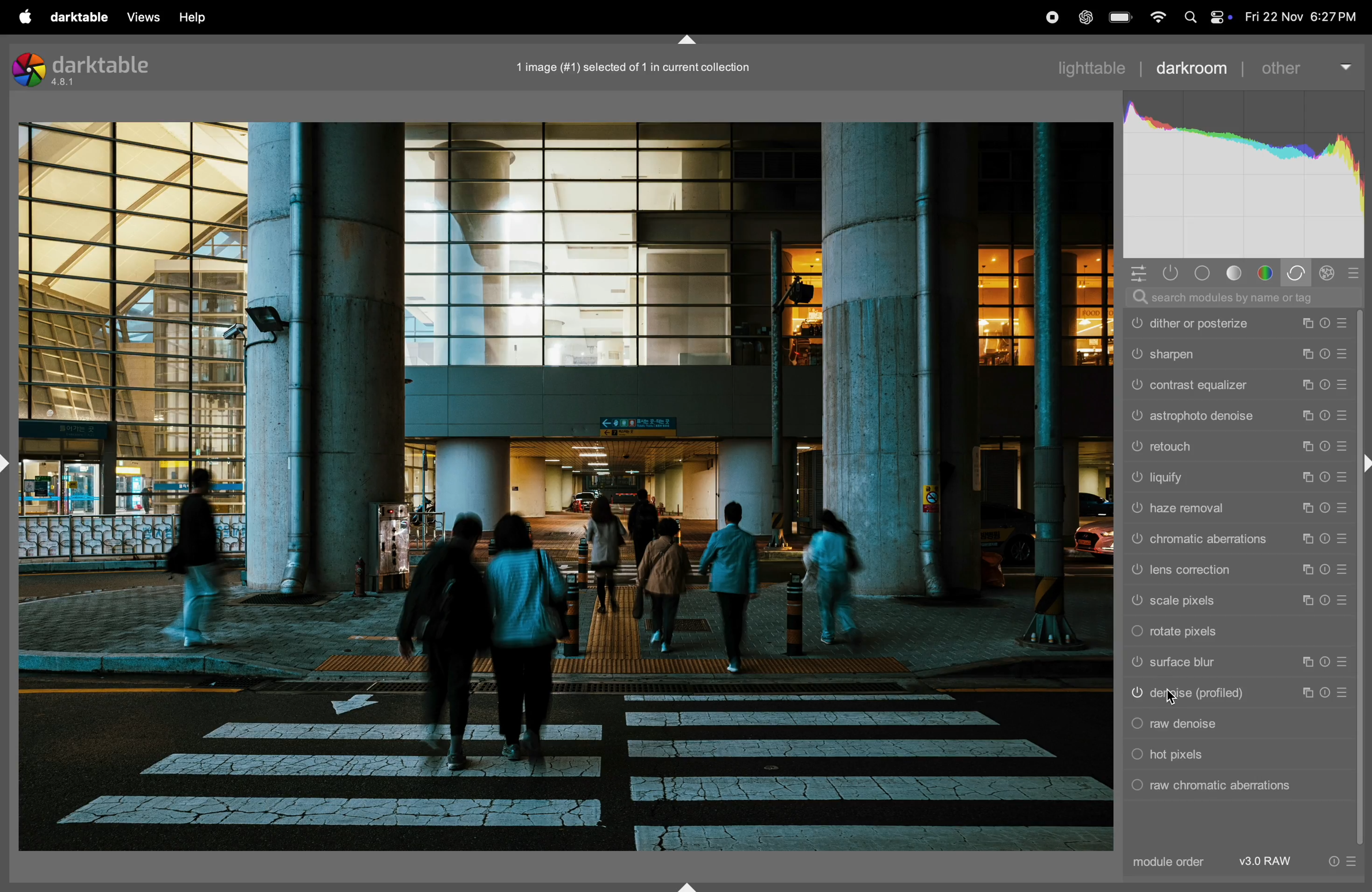 The image size is (1372, 892). Describe the element at coordinates (1214, 865) in the screenshot. I see `Module order` at that location.